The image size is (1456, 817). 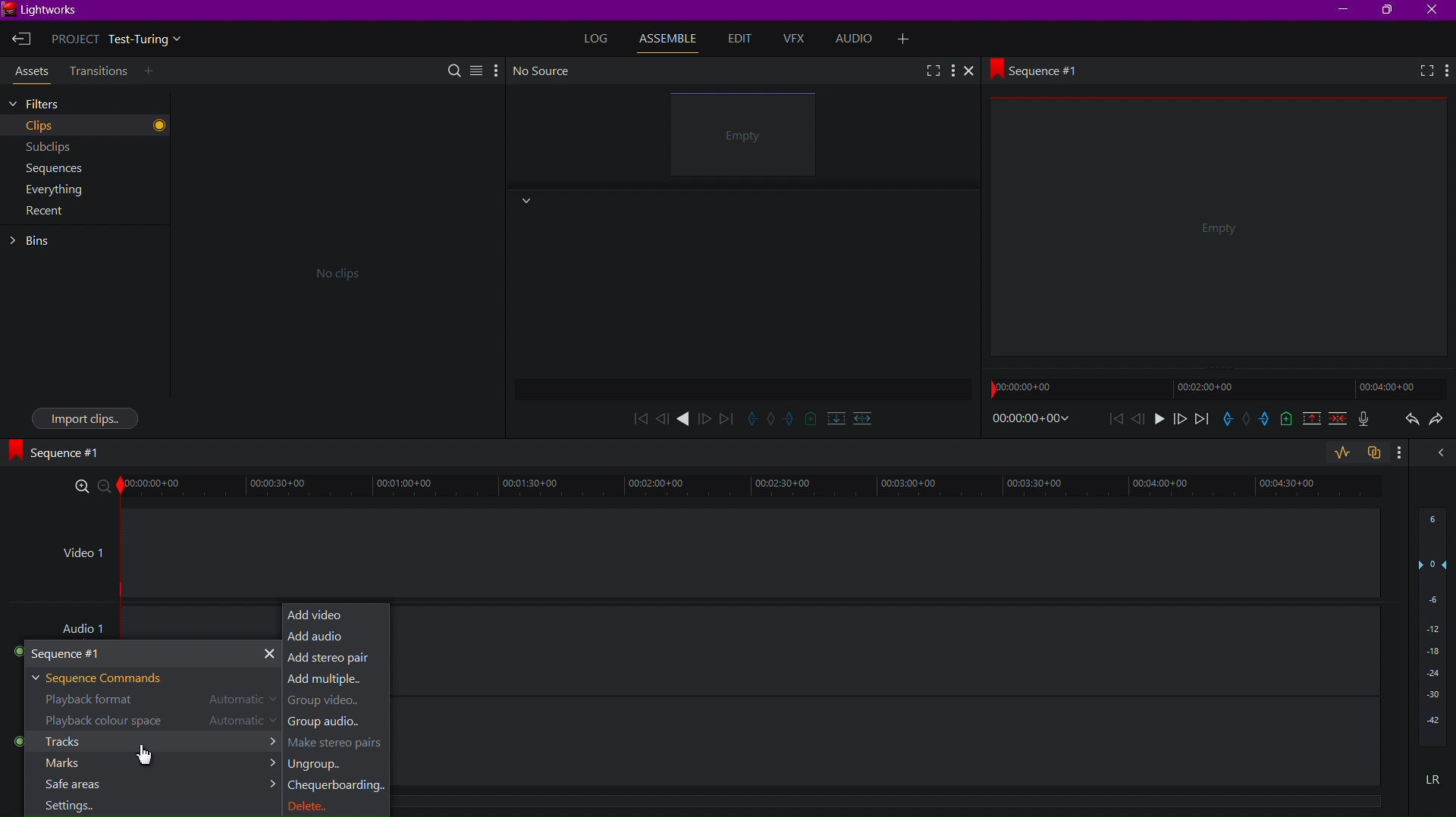 I want to click on Marks, so click(x=147, y=765).